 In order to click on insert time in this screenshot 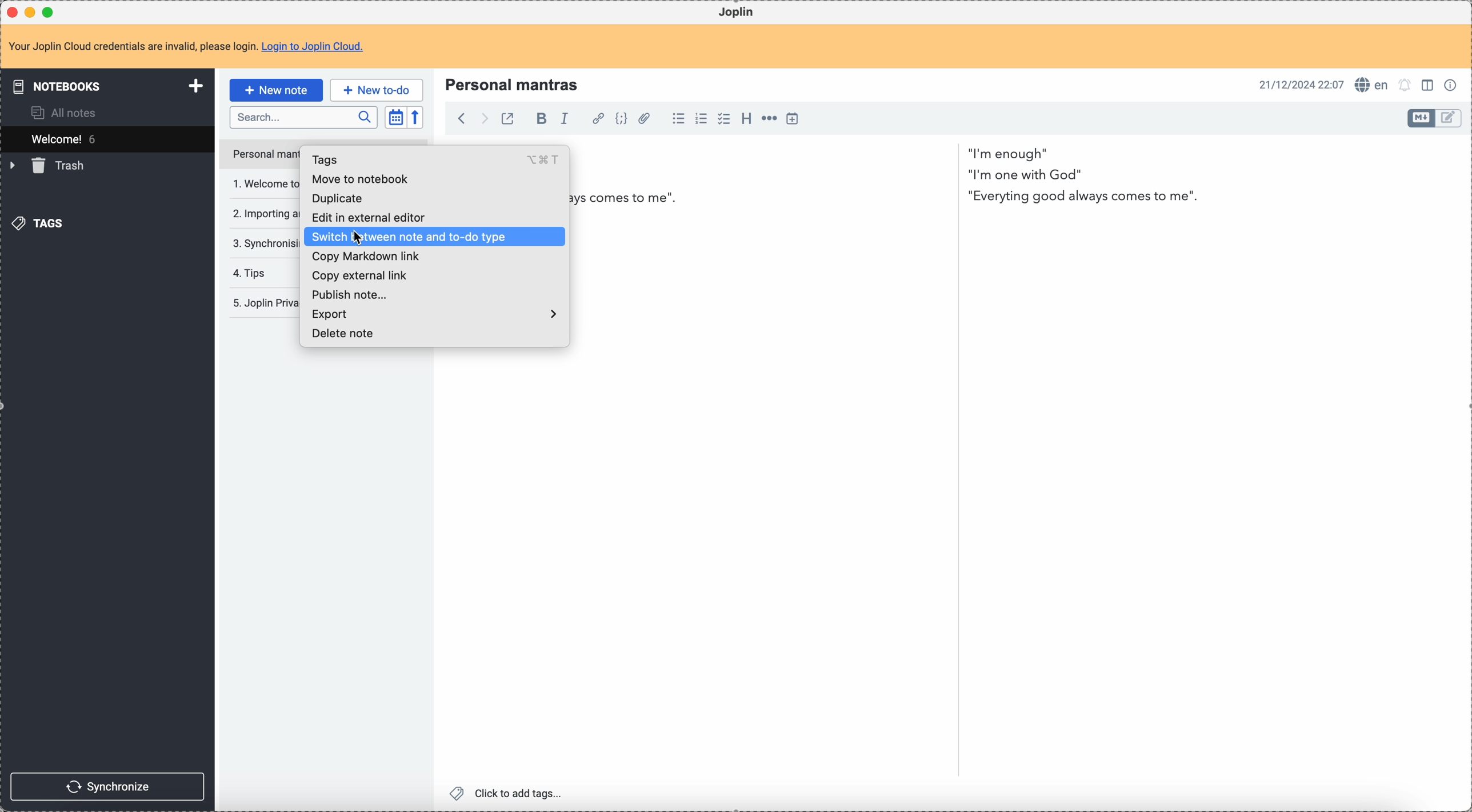, I will do `click(792, 120)`.